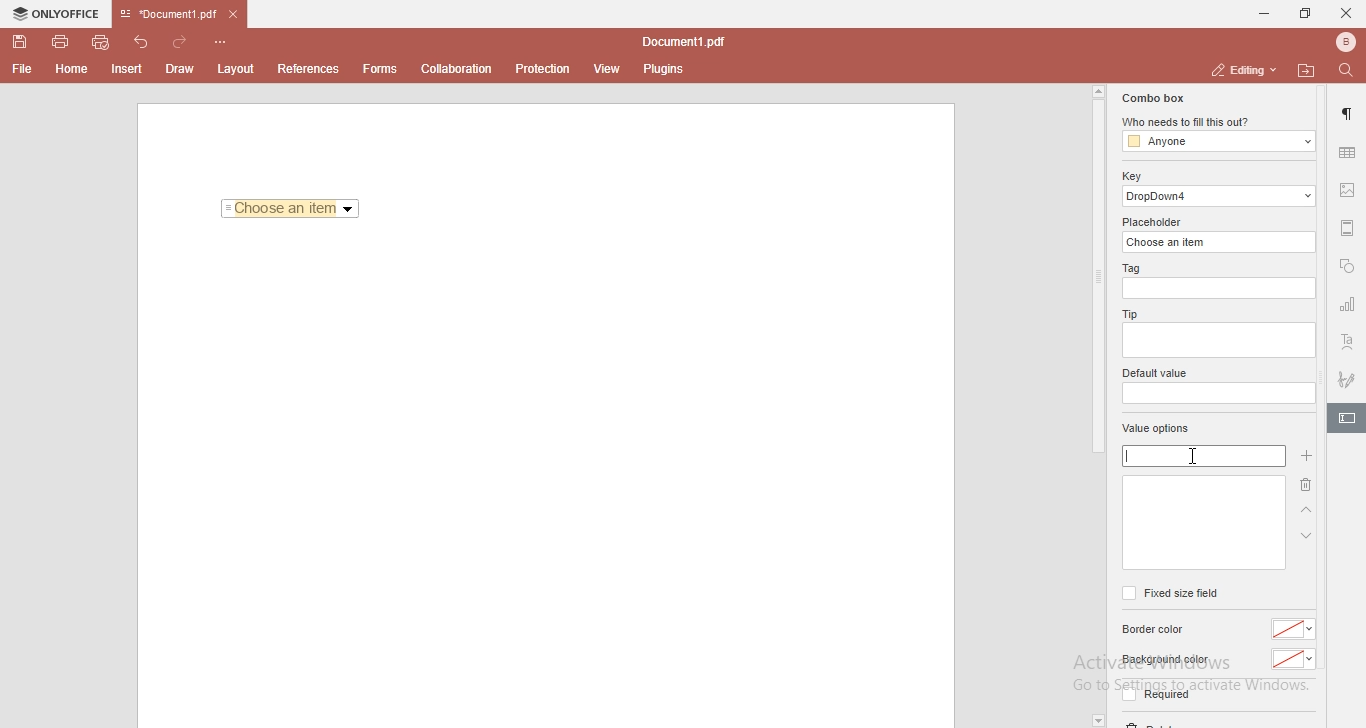 Image resolution: width=1366 pixels, height=728 pixels. What do you see at coordinates (1155, 222) in the screenshot?
I see `placeholder` at bounding box center [1155, 222].